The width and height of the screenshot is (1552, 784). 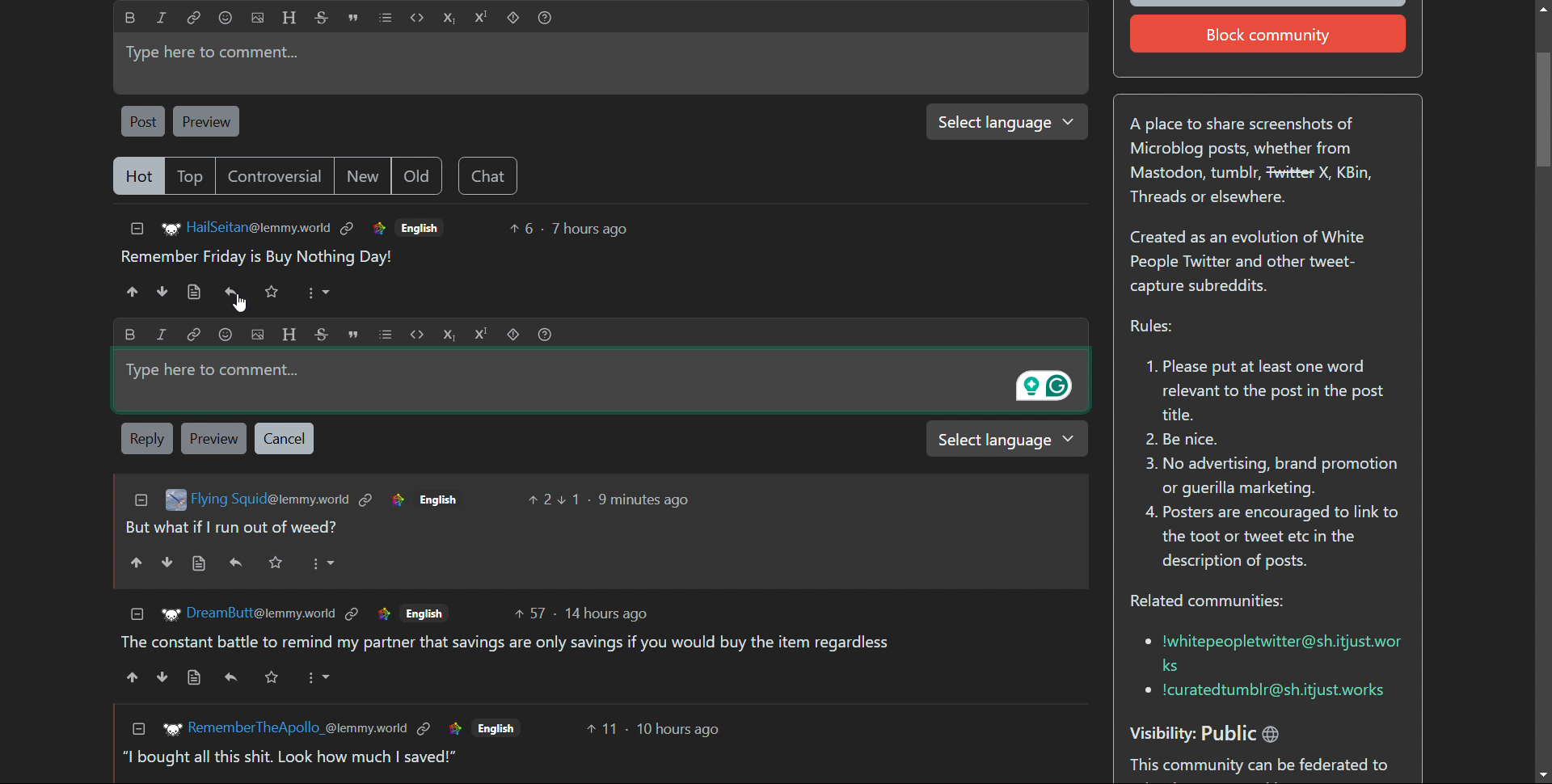 What do you see at coordinates (138, 177) in the screenshot?
I see `hot` at bounding box center [138, 177].